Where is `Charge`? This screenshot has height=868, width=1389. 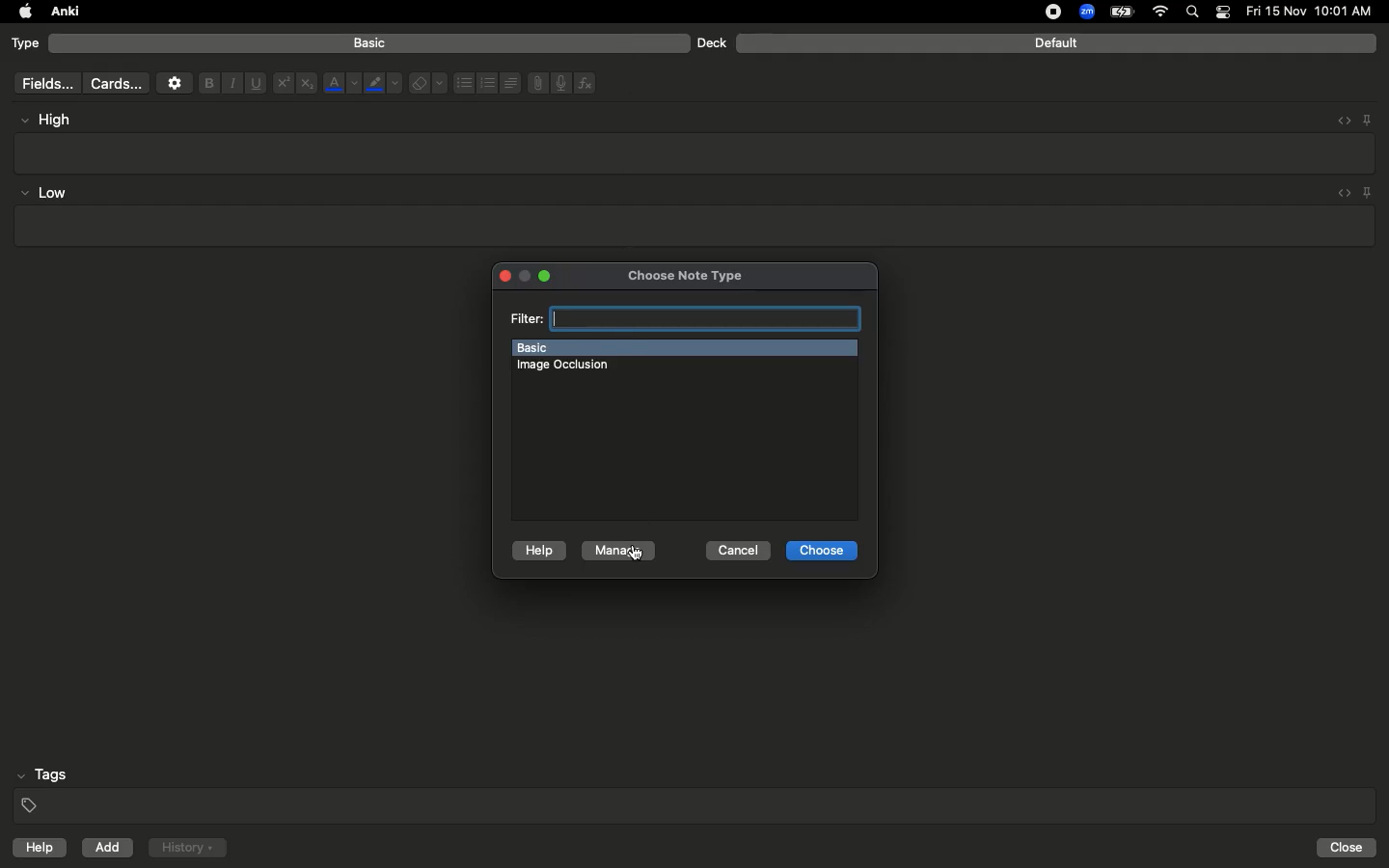
Charge is located at coordinates (1121, 12).